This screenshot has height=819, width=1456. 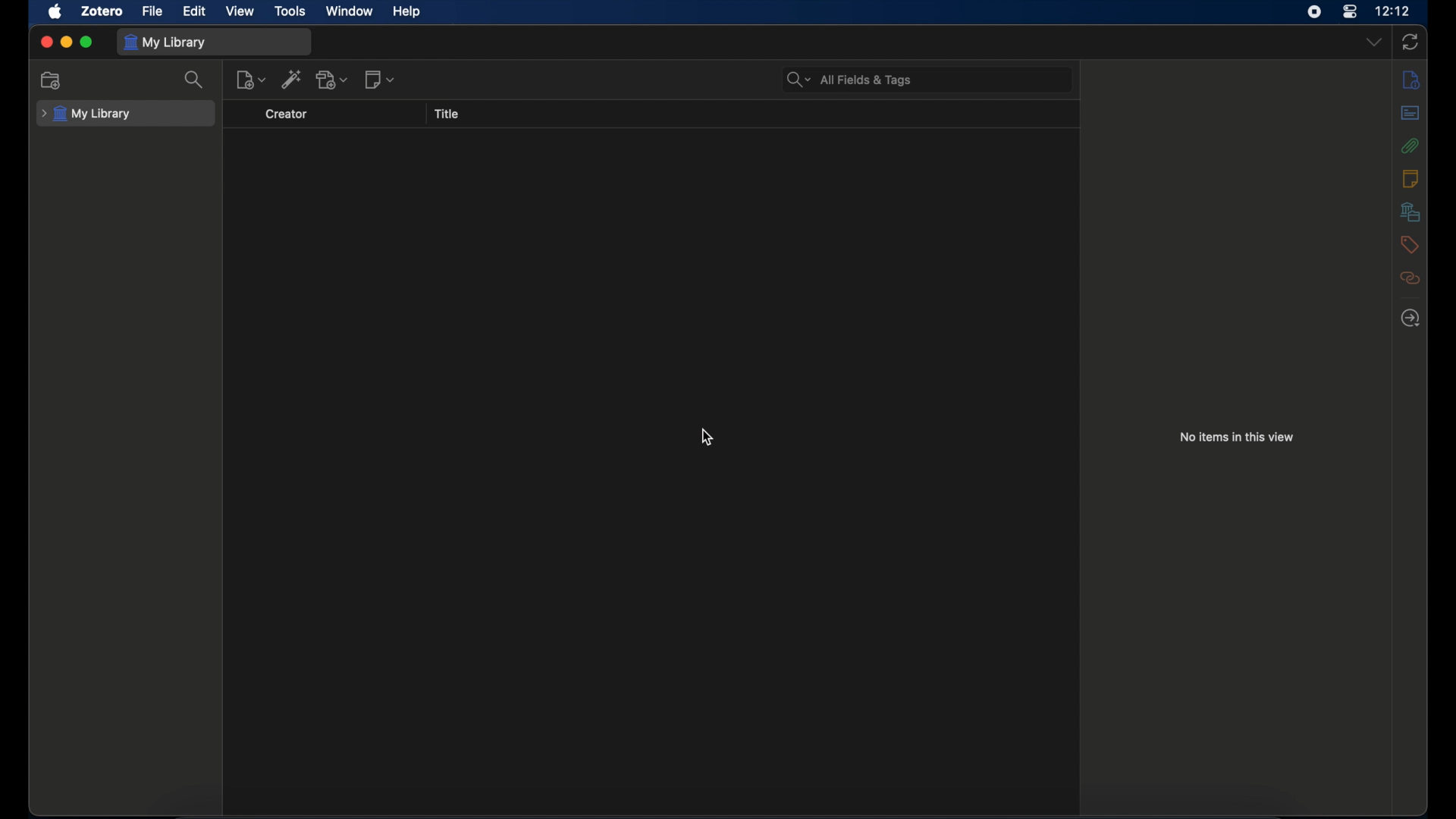 I want to click on add item by identifier, so click(x=293, y=79).